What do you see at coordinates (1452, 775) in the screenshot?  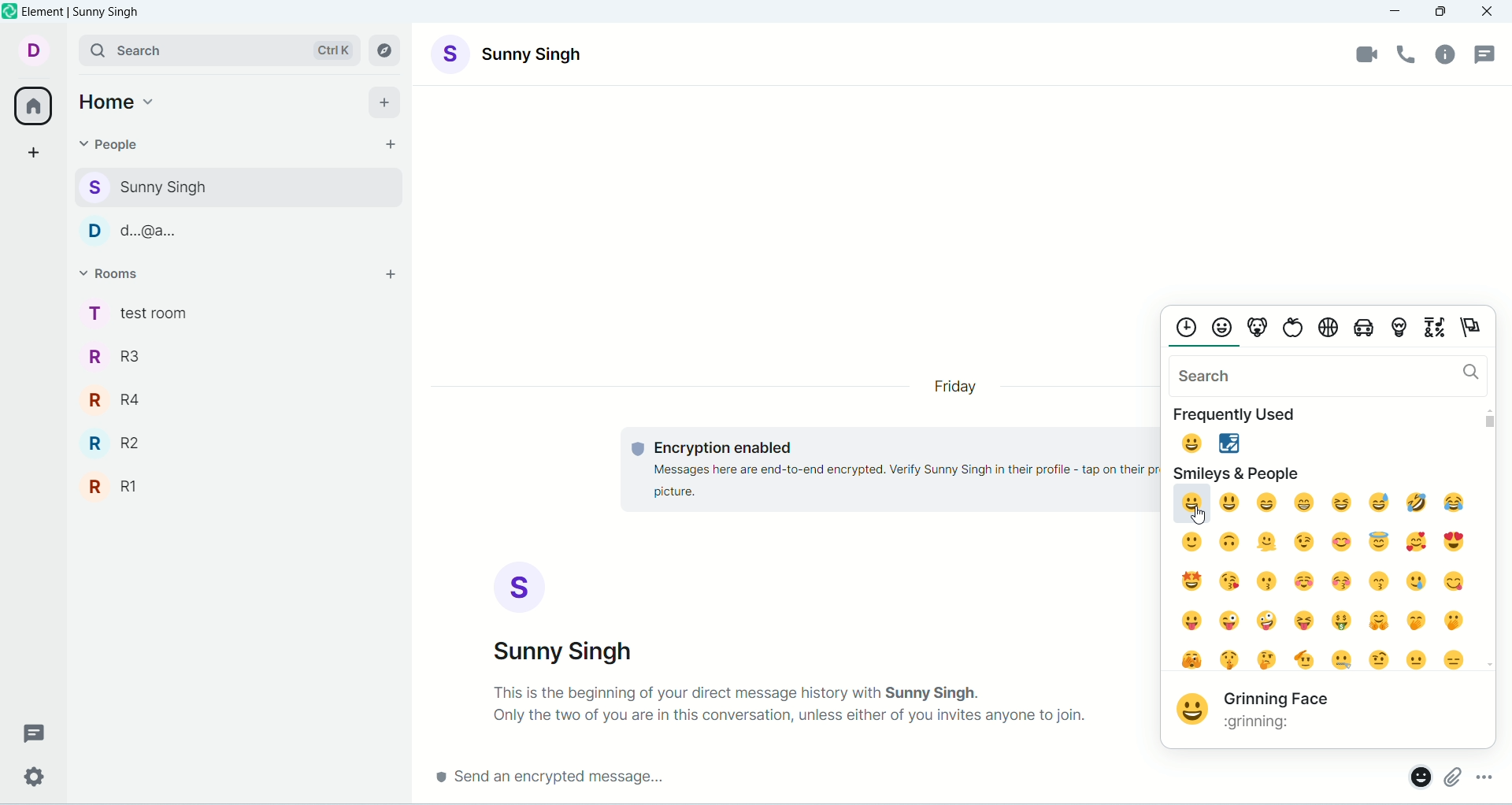 I see `attachment` at bounding box center [1452, 775].